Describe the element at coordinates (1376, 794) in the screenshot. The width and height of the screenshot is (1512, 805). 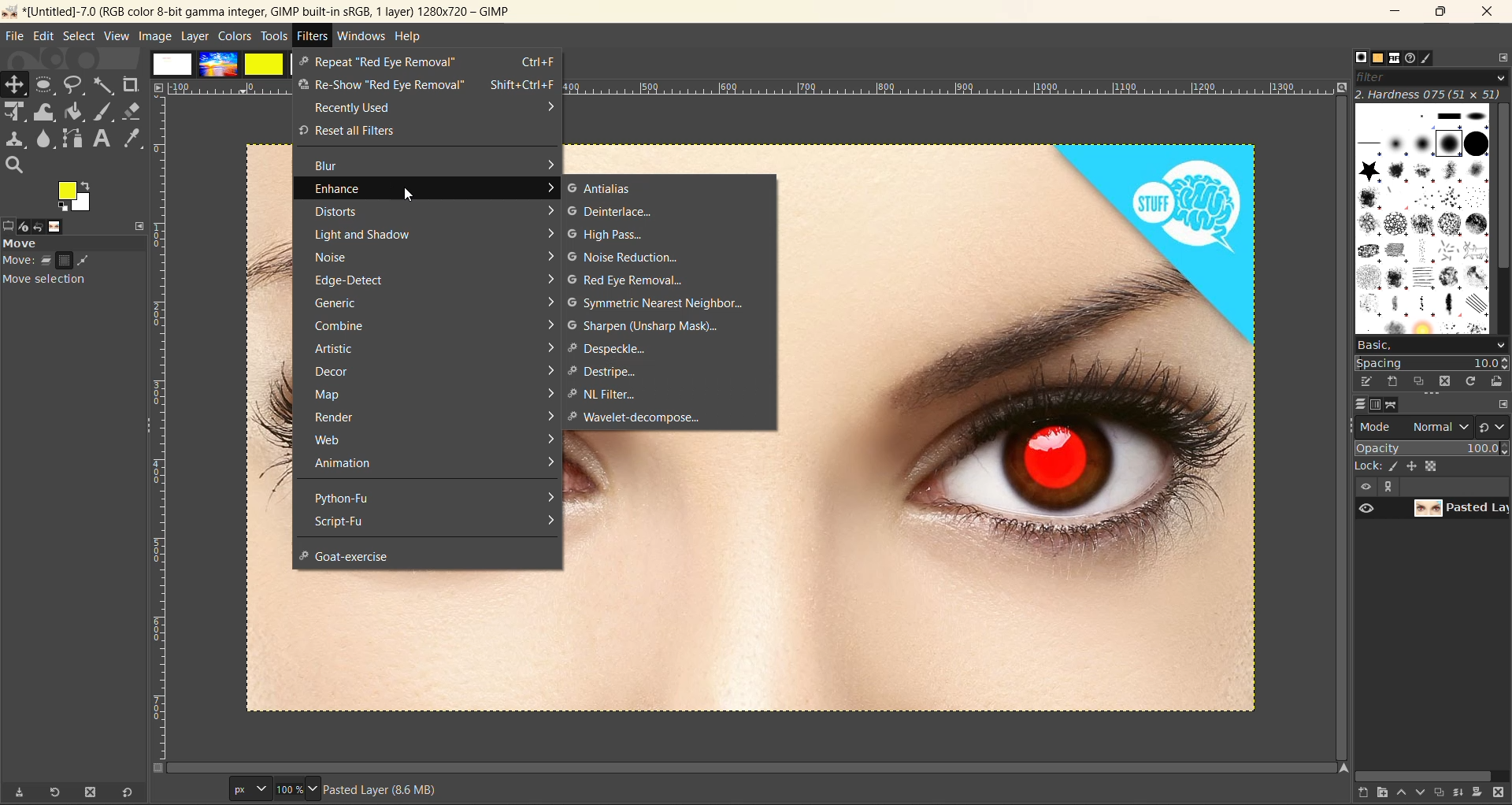
I see `create a new layer group` at that location.